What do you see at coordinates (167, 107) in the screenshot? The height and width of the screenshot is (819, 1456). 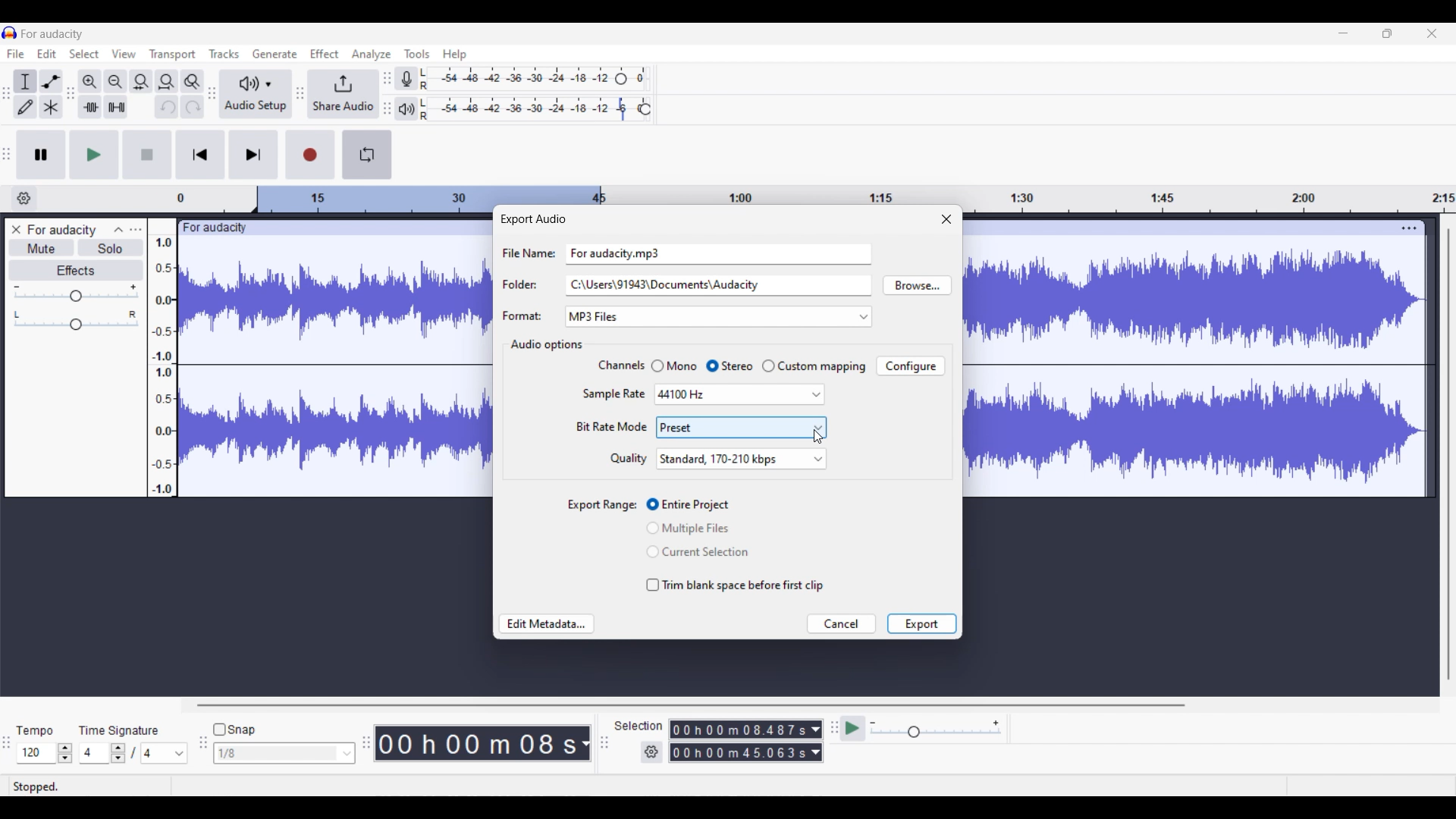 I see `Undo` at bounding box center [167, 107].